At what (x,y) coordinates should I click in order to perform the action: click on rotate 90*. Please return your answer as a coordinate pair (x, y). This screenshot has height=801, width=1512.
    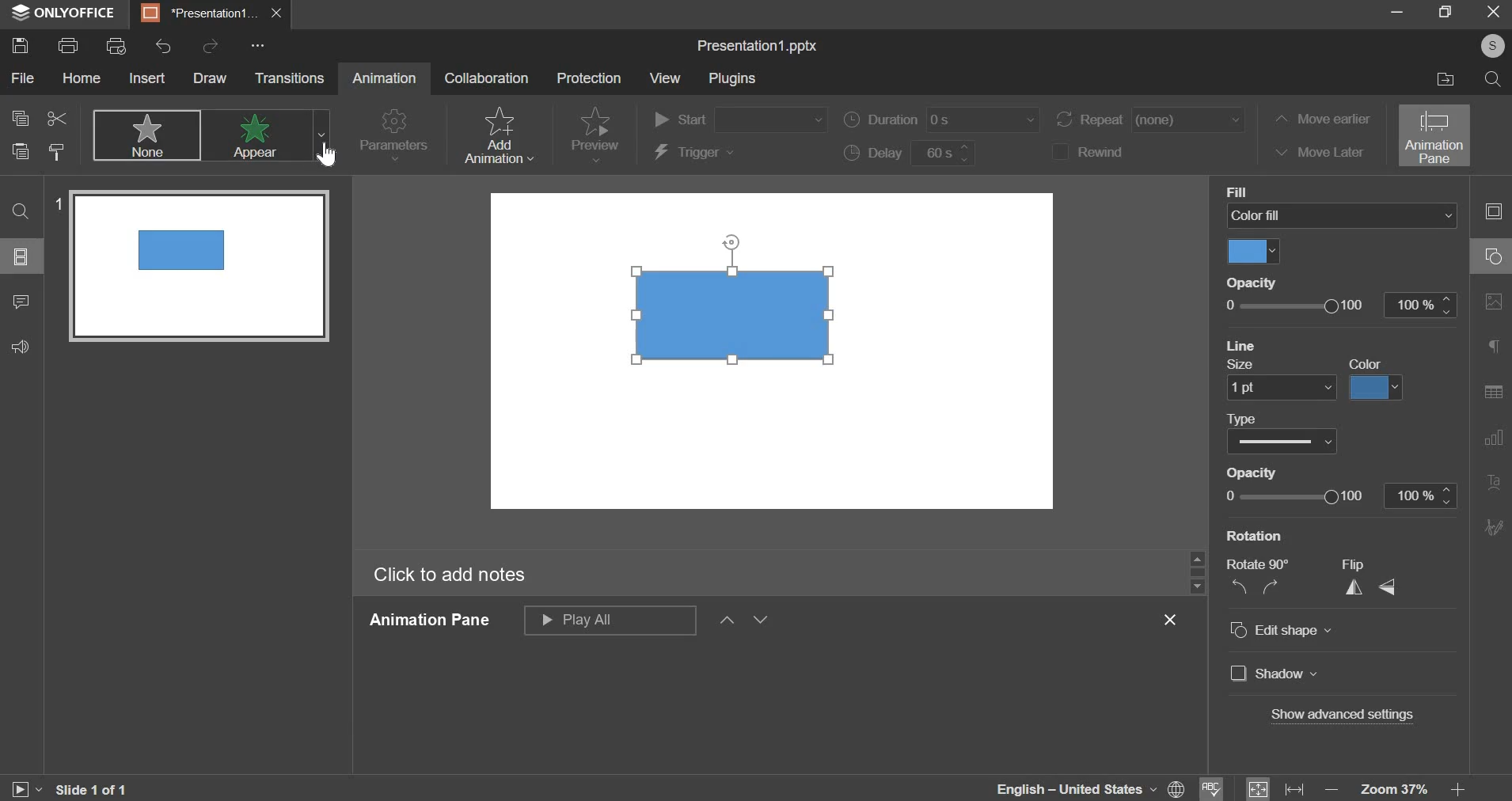
    Looking at the image, I should click on (1256, 563).